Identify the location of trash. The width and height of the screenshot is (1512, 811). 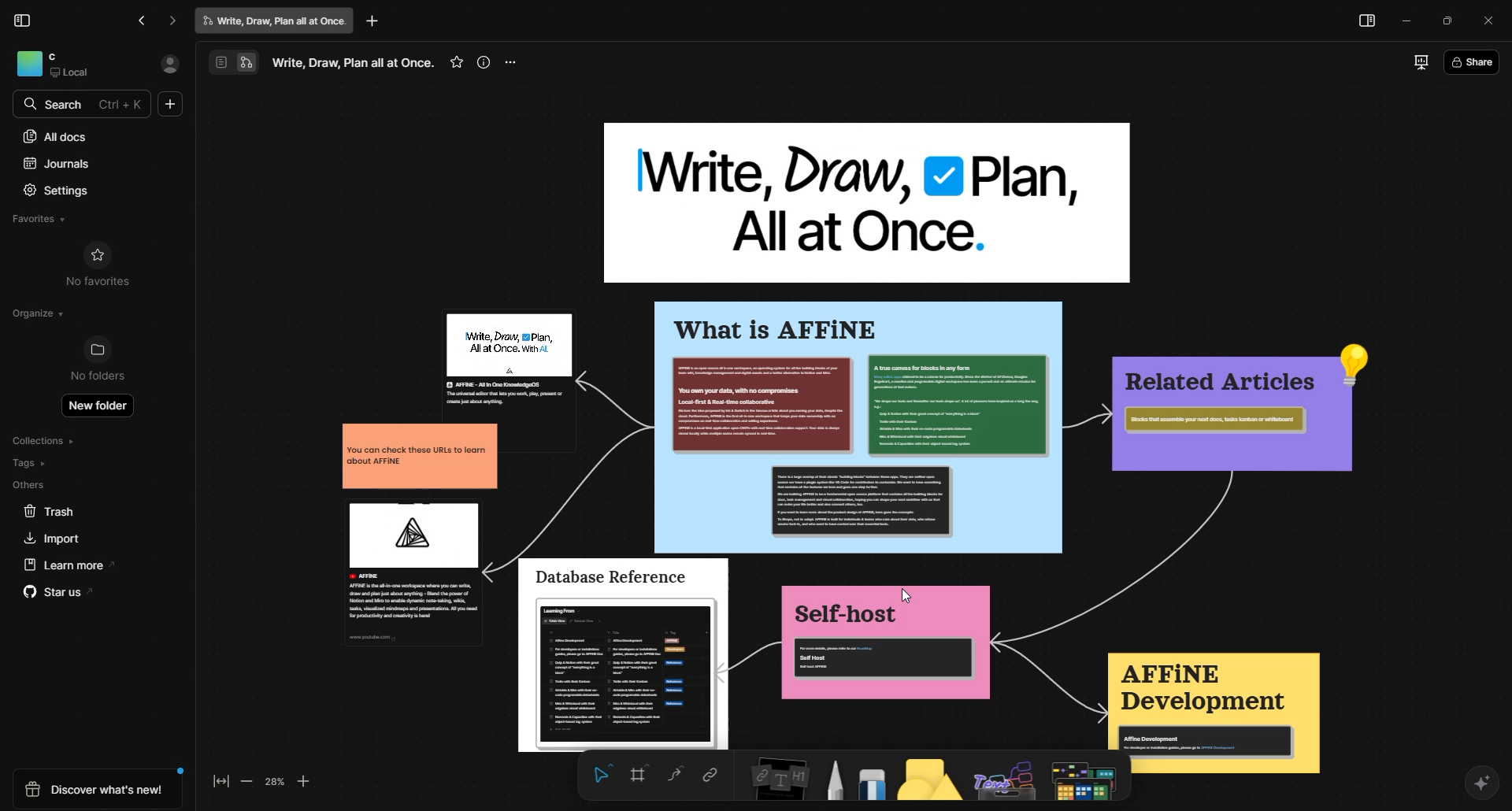
(50, 512).